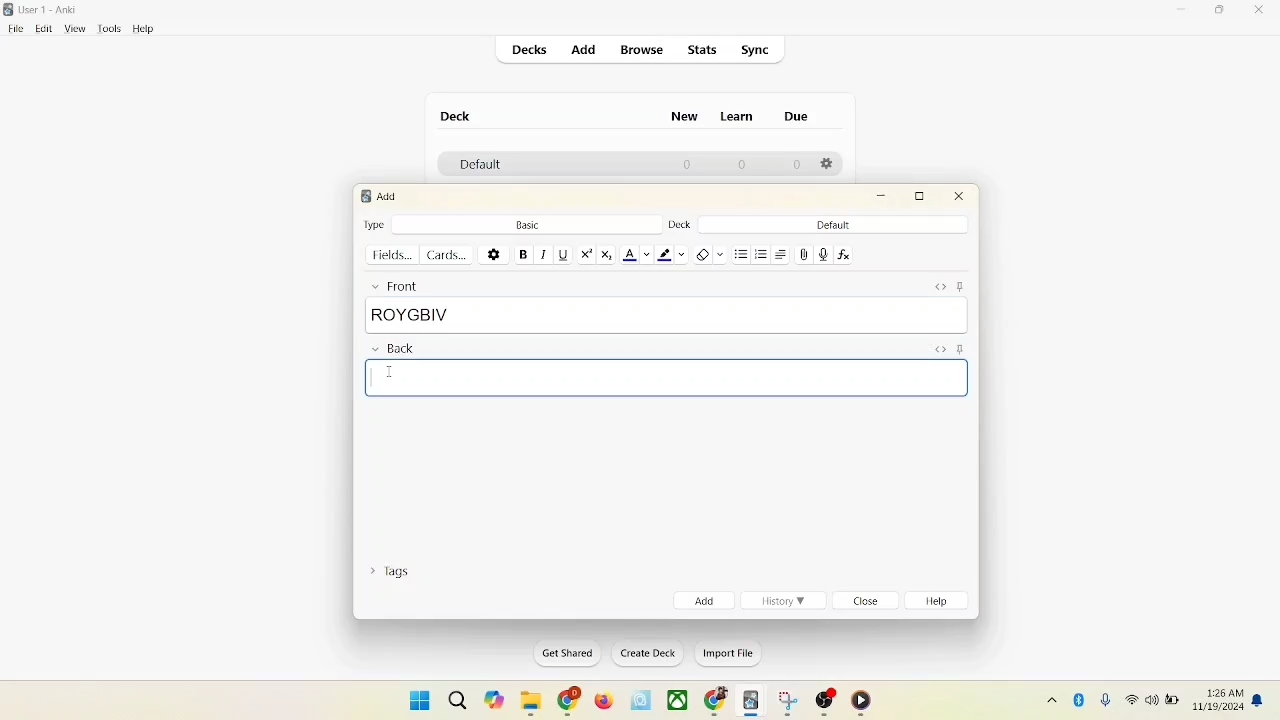 This screenshot has width=1280, height=720. I want to click on help, so click(941, 603).